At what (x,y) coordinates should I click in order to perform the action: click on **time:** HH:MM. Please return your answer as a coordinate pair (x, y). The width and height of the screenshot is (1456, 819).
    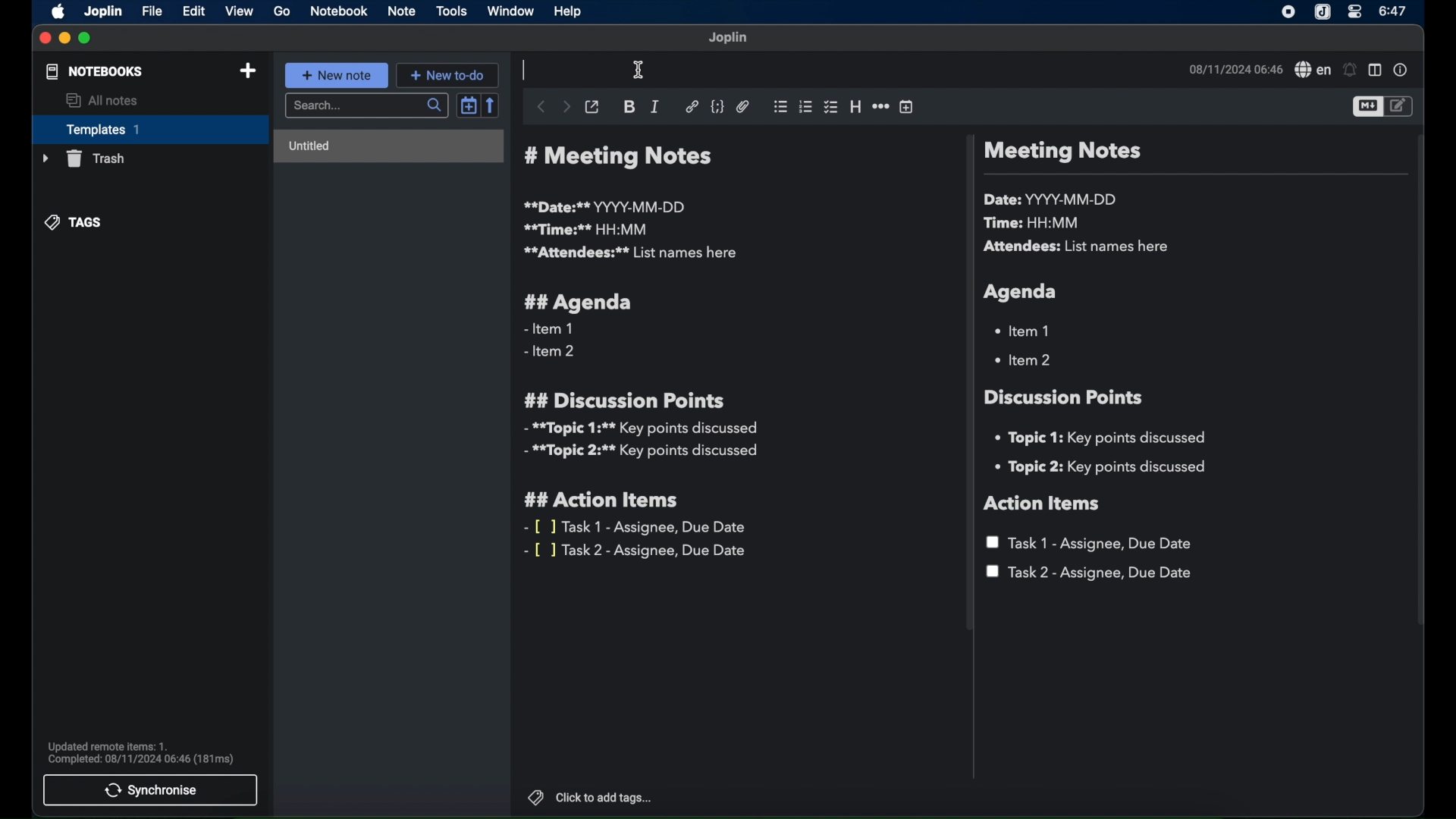
    Looking at the image, I should click on (586, 229).